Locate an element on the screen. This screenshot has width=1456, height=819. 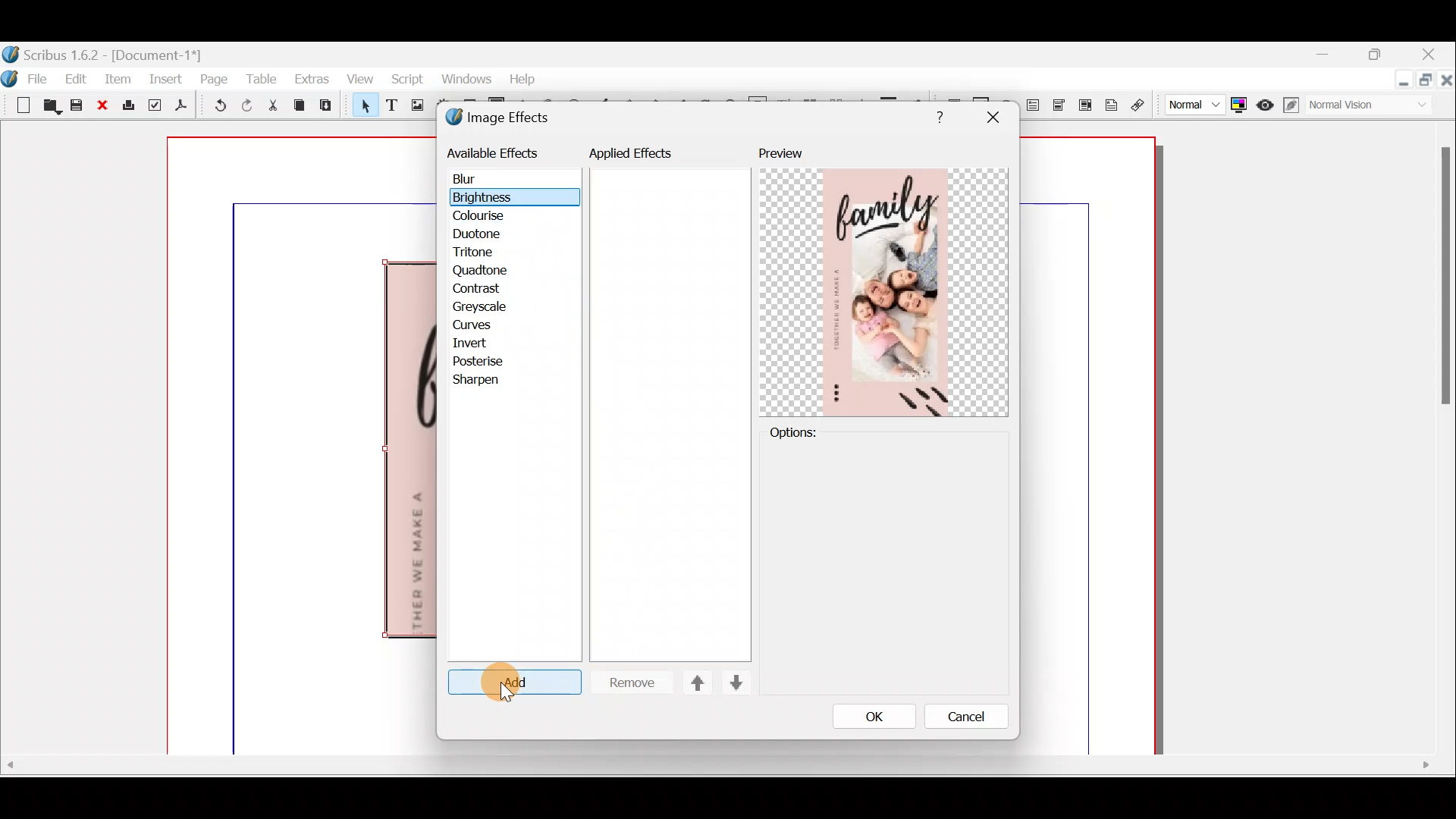
Cursor is located at coordinates (511, 685).